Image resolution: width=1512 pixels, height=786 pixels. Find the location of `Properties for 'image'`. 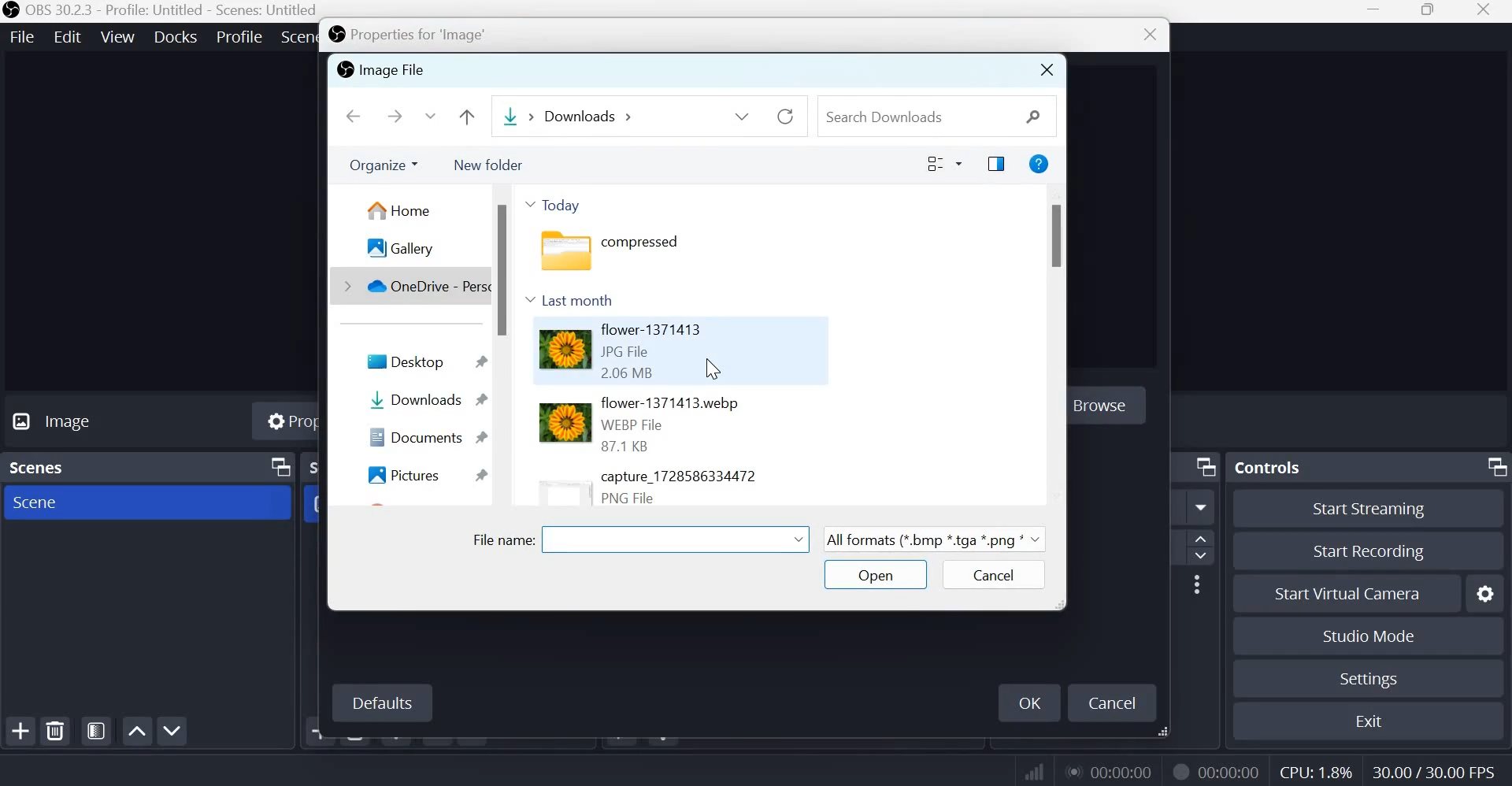

Properties for 'image' is located at coordinates (421, 35).